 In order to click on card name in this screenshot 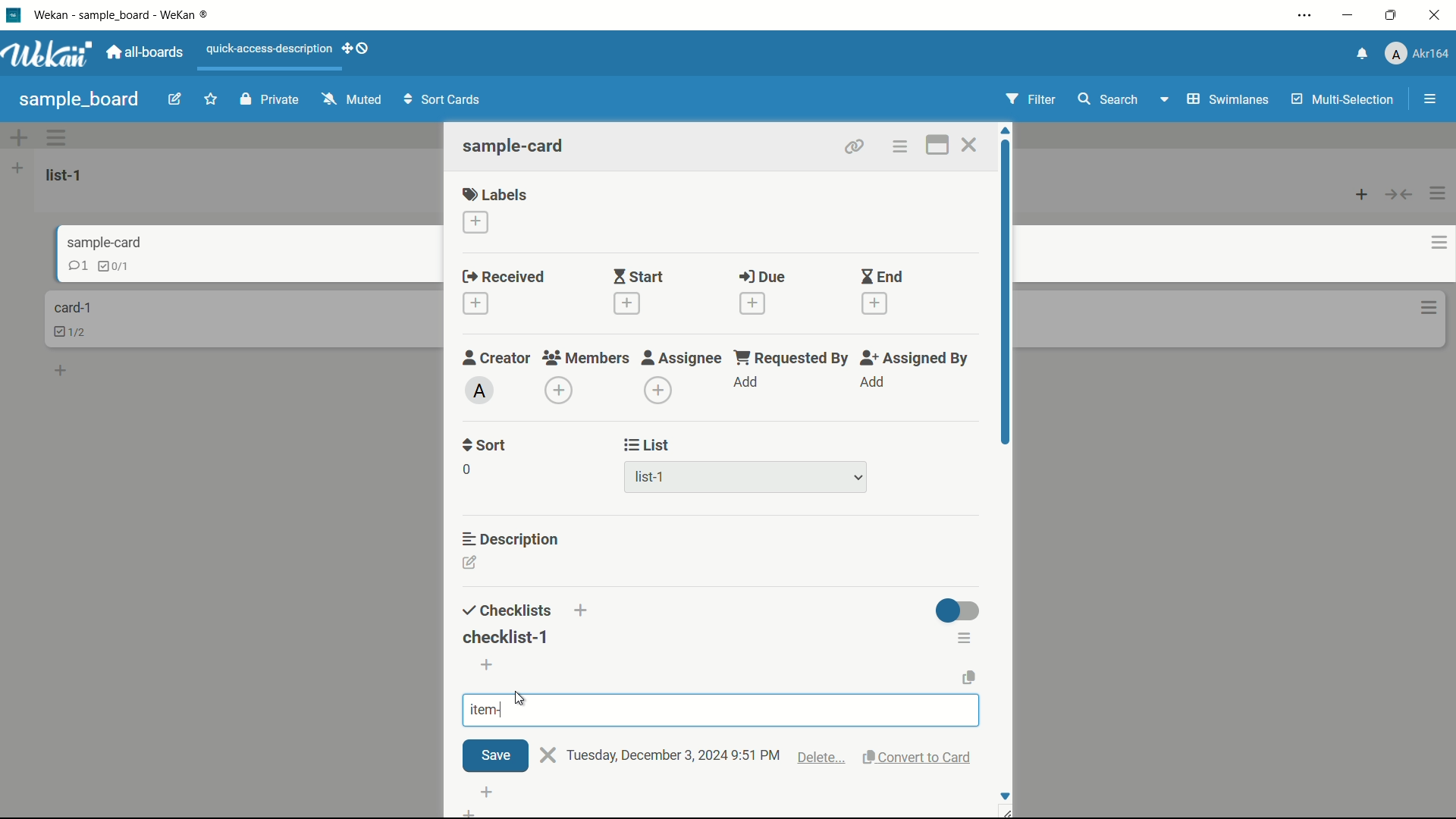, I will do `click(515, 145)`.